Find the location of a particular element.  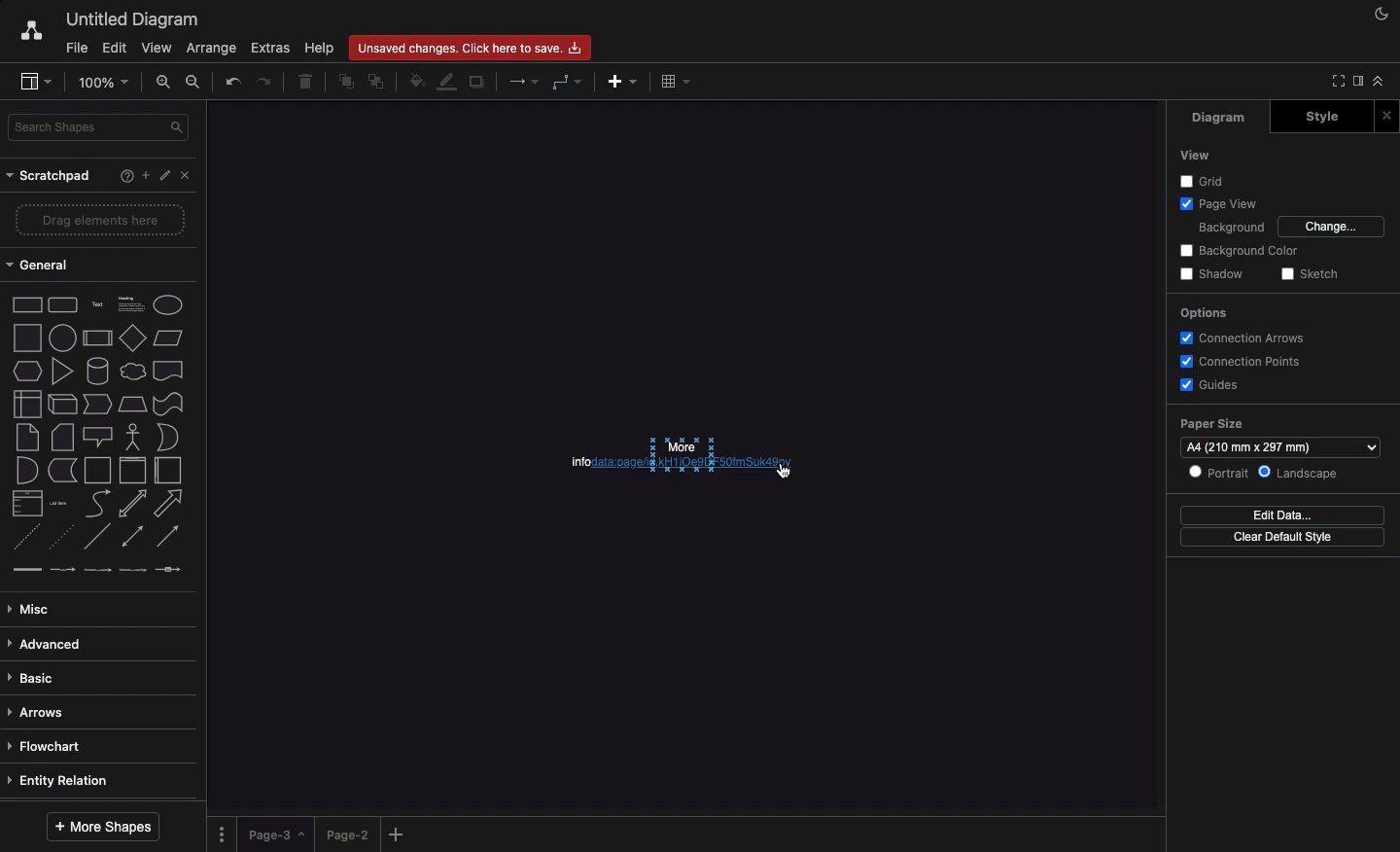

card is located at coordinates (63, 436).